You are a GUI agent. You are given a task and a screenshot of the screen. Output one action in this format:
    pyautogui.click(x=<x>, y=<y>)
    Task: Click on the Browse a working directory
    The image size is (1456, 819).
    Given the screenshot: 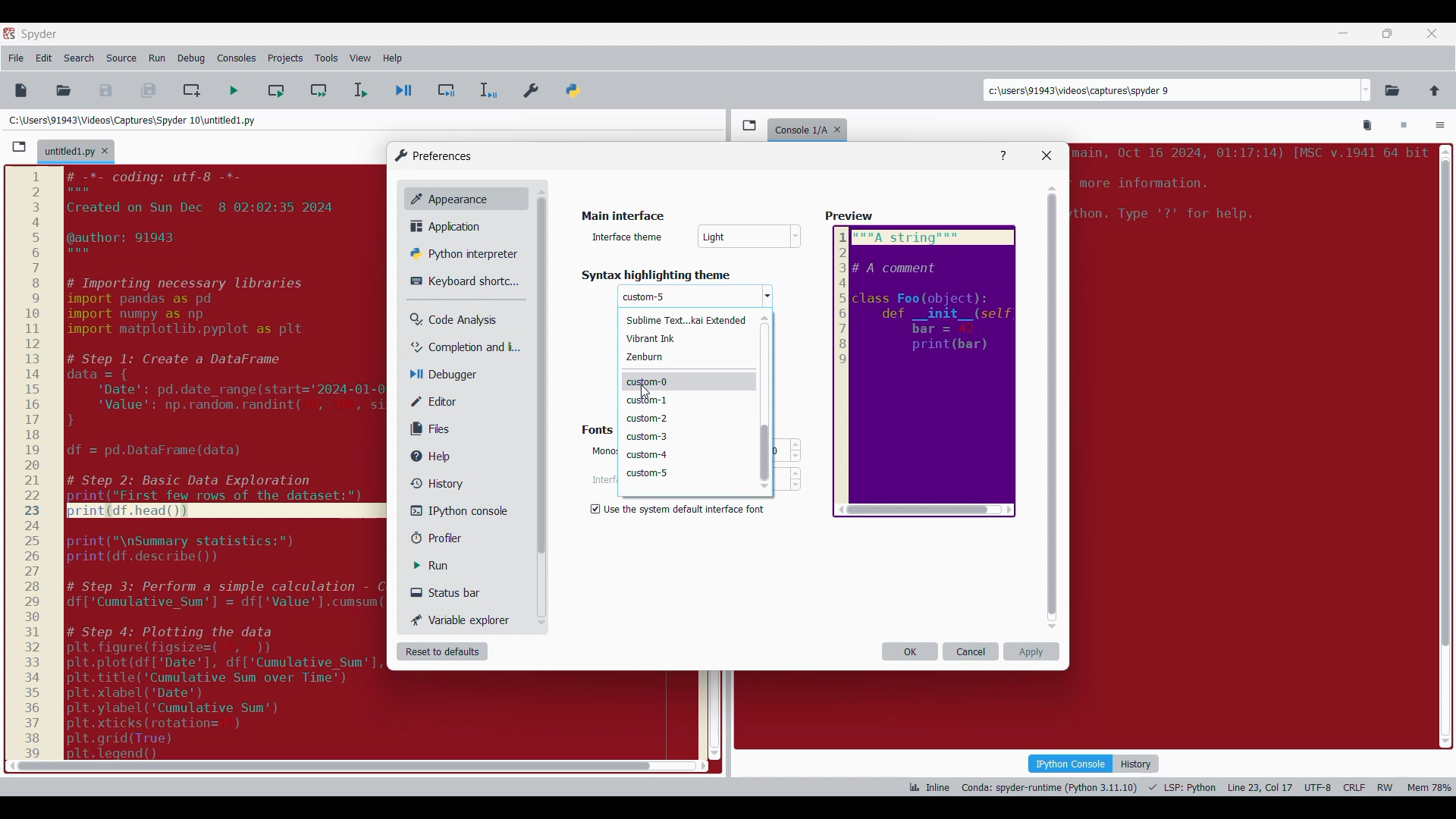 What is the action you would take?
    pyautogui.click(x=1392, y=90)
    